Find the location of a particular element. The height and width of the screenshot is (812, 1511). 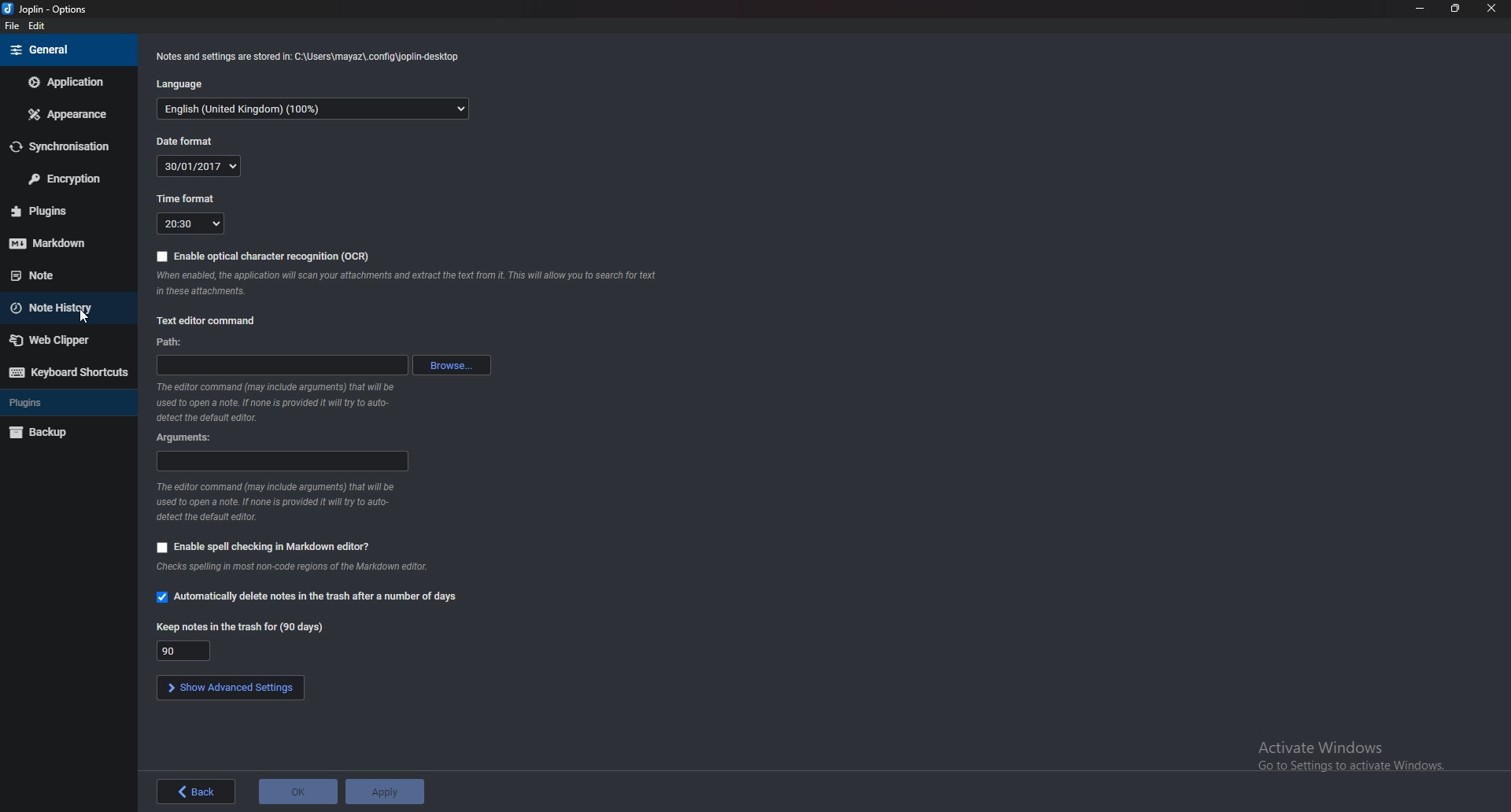

Info is located at coordinates (275, 401).